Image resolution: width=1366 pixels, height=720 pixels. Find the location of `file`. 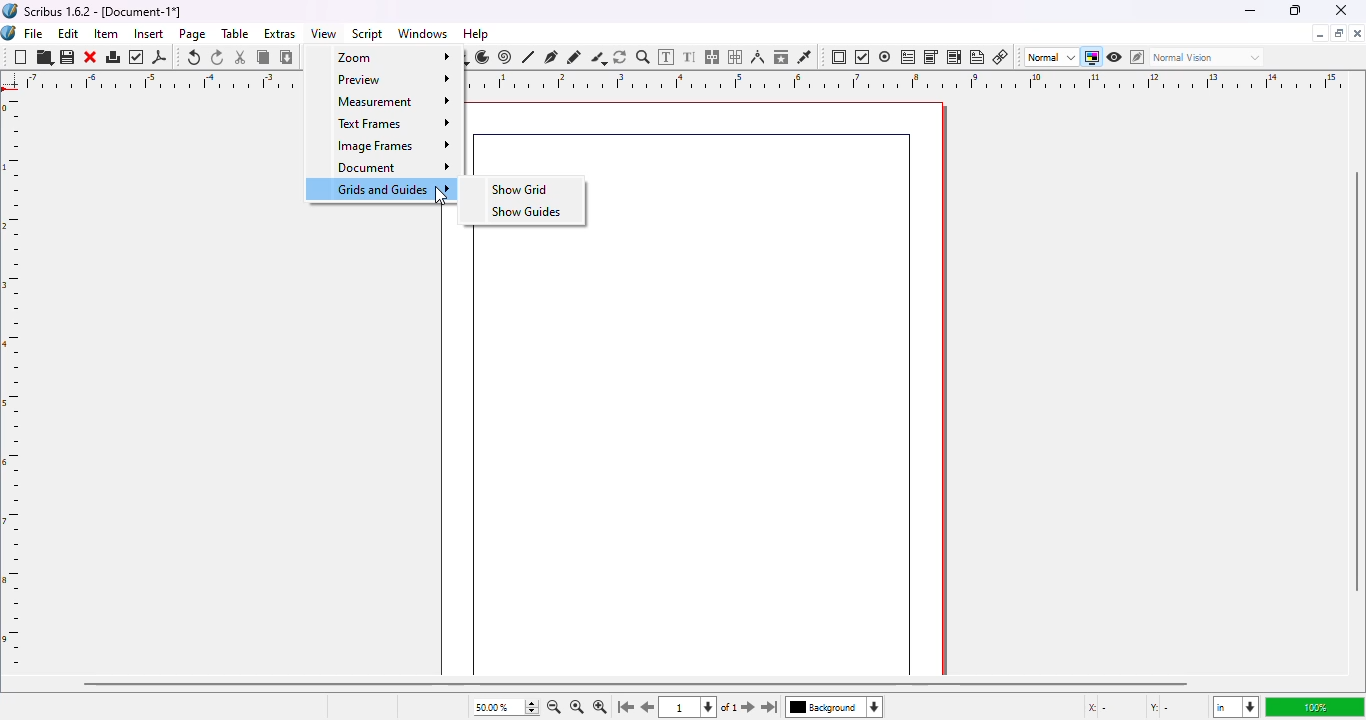

file is located at coordinates (34, 33).